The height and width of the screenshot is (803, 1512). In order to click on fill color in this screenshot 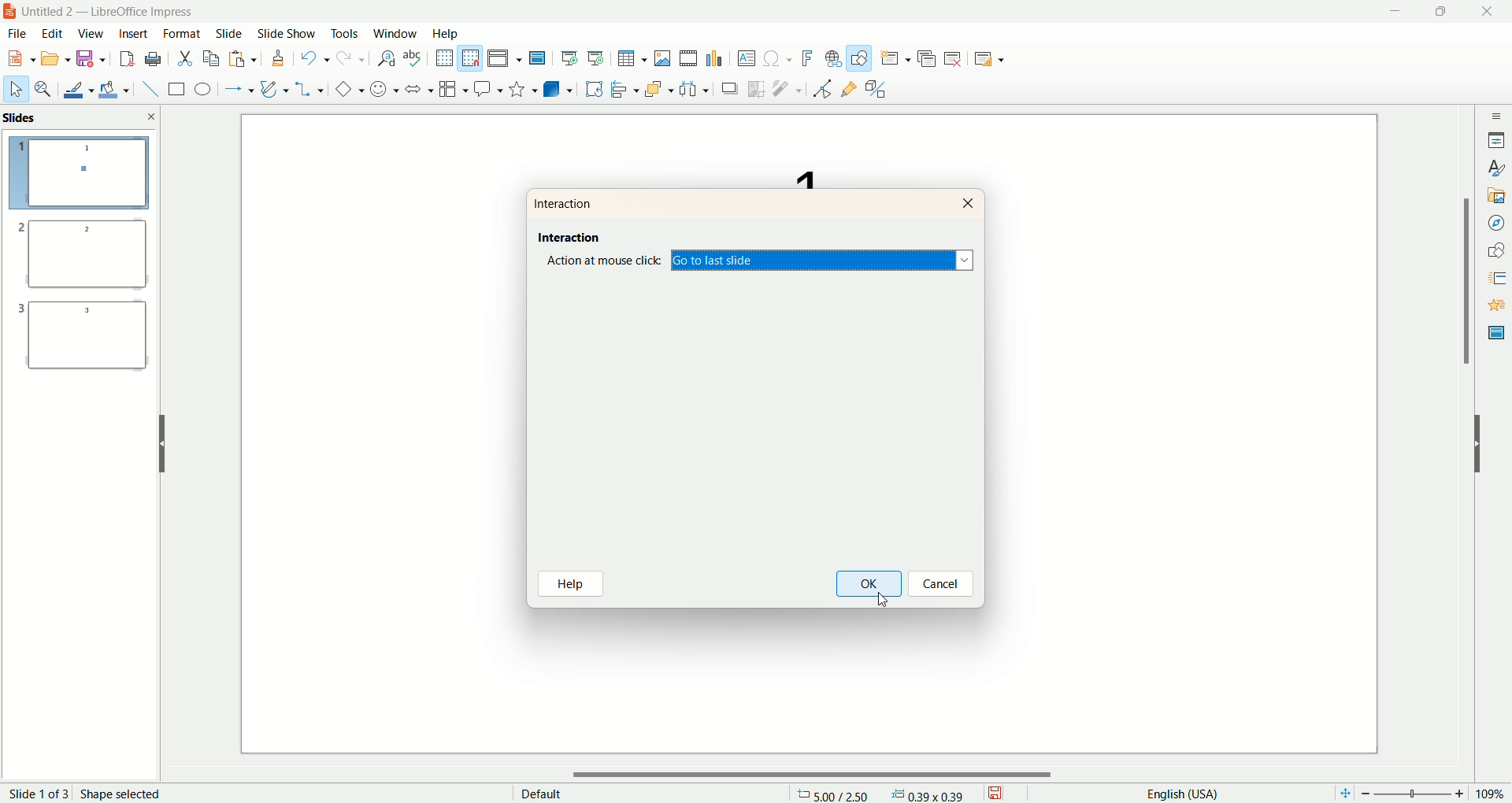, I will do `click(113, 89)`.